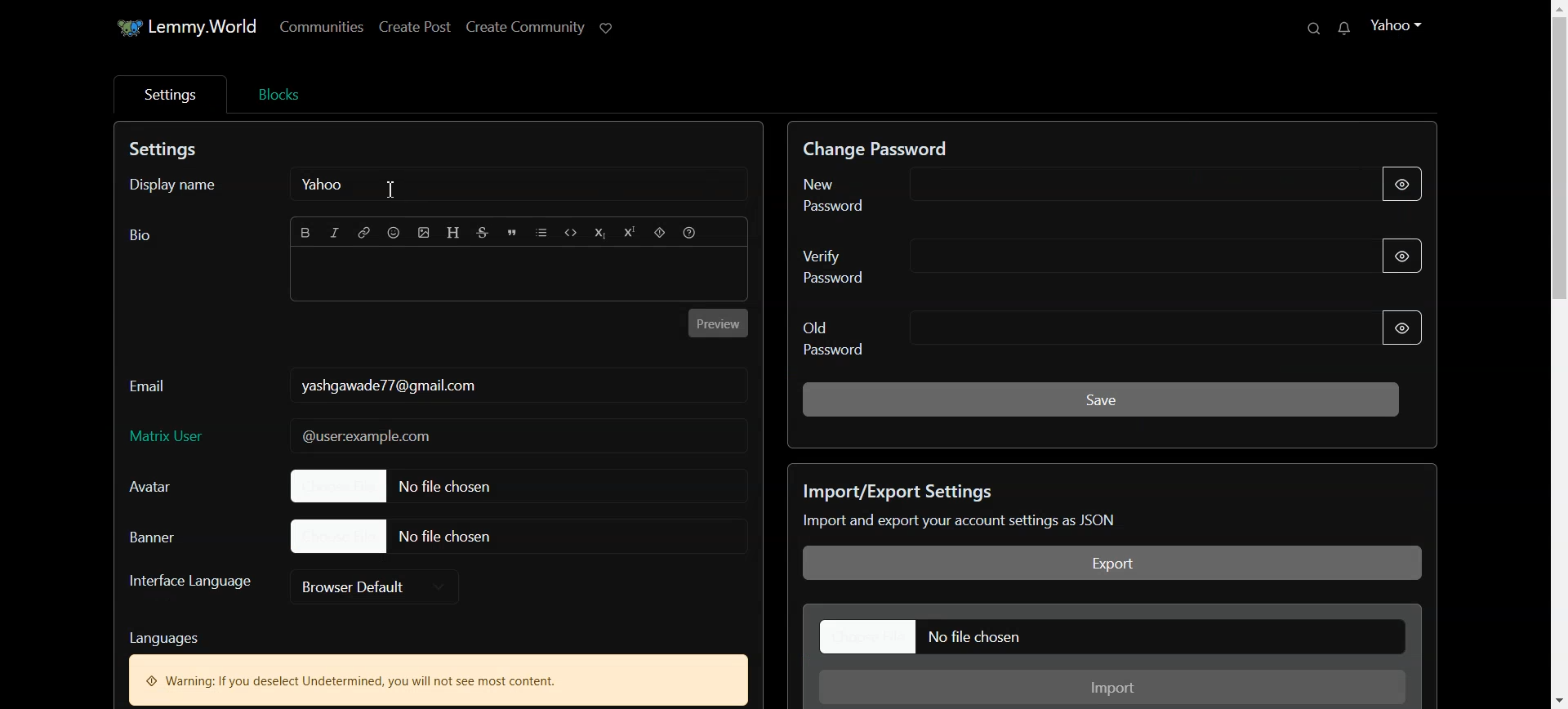  I want to click on File chosen, so click(1115, 636).